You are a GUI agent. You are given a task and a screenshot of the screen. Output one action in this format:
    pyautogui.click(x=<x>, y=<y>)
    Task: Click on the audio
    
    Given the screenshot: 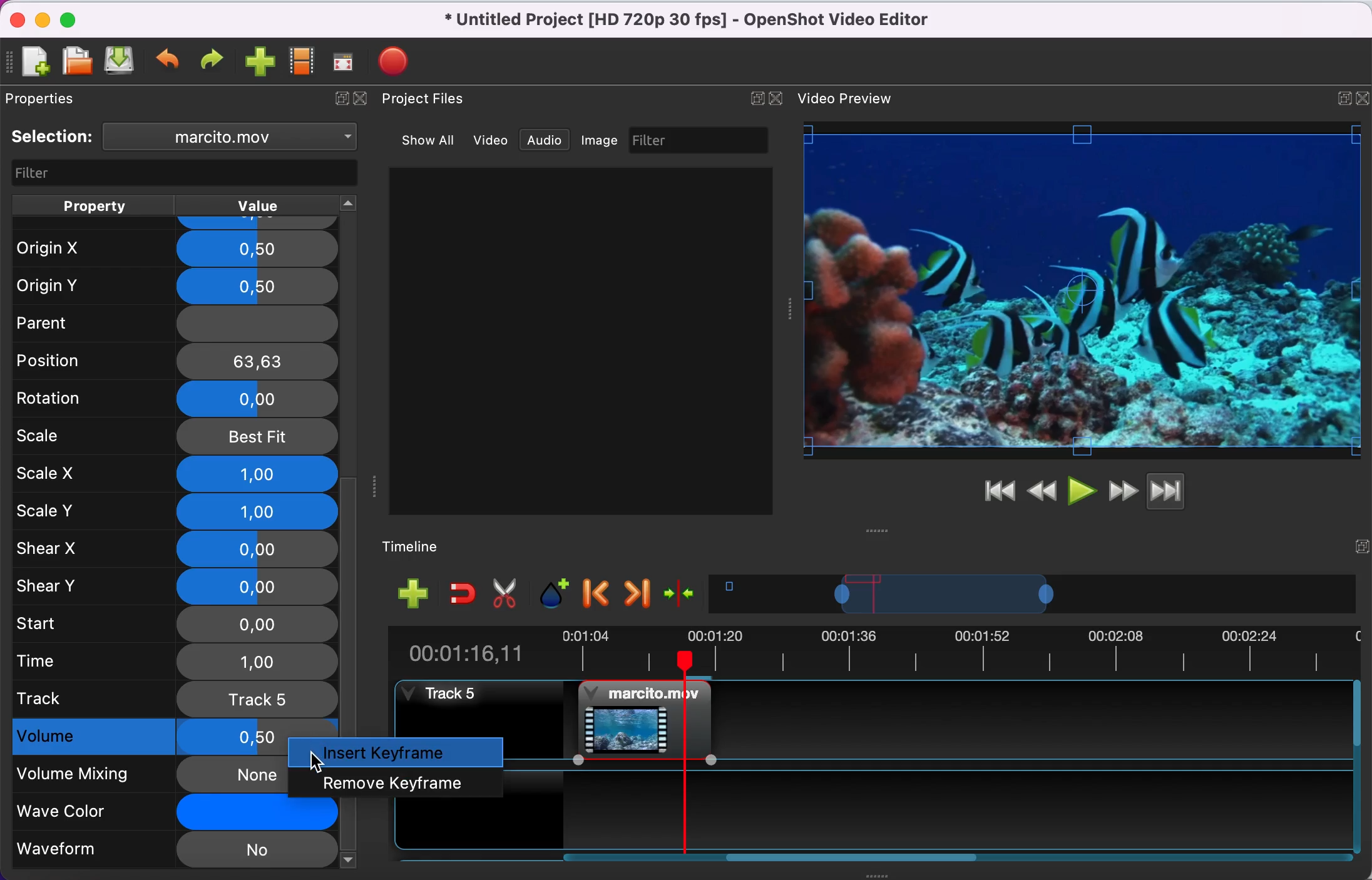 What is the action you would take?
    pyautogui.click(x=549, y=141)
    